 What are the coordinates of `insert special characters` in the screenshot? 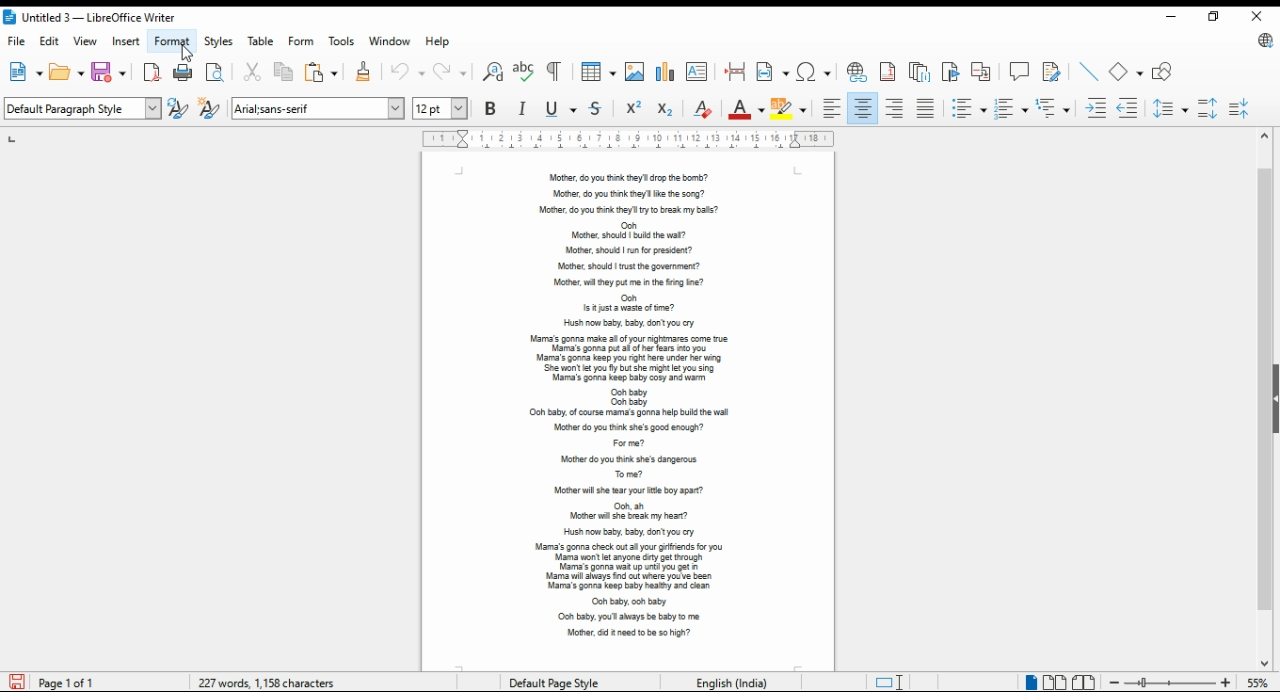 It's located at (813, 72).